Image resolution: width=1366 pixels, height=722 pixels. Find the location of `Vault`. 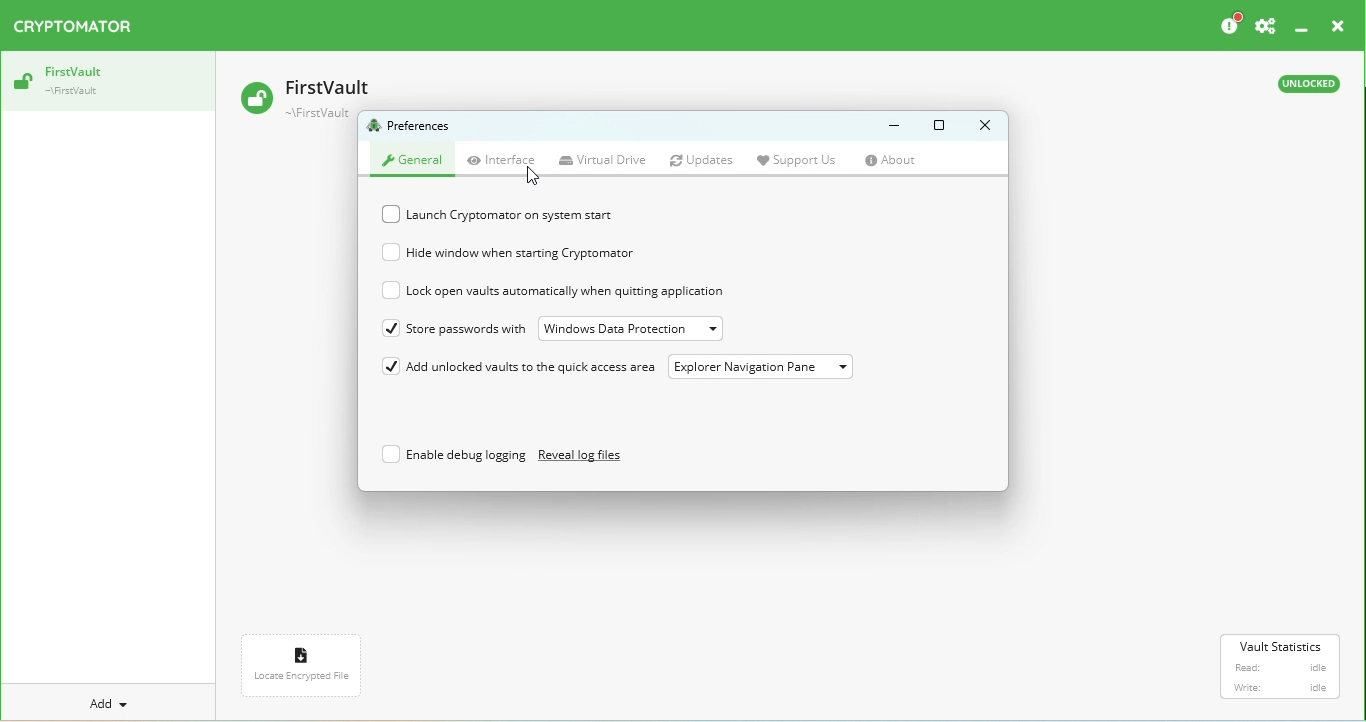

Vault is located at coordinates (312, 93).